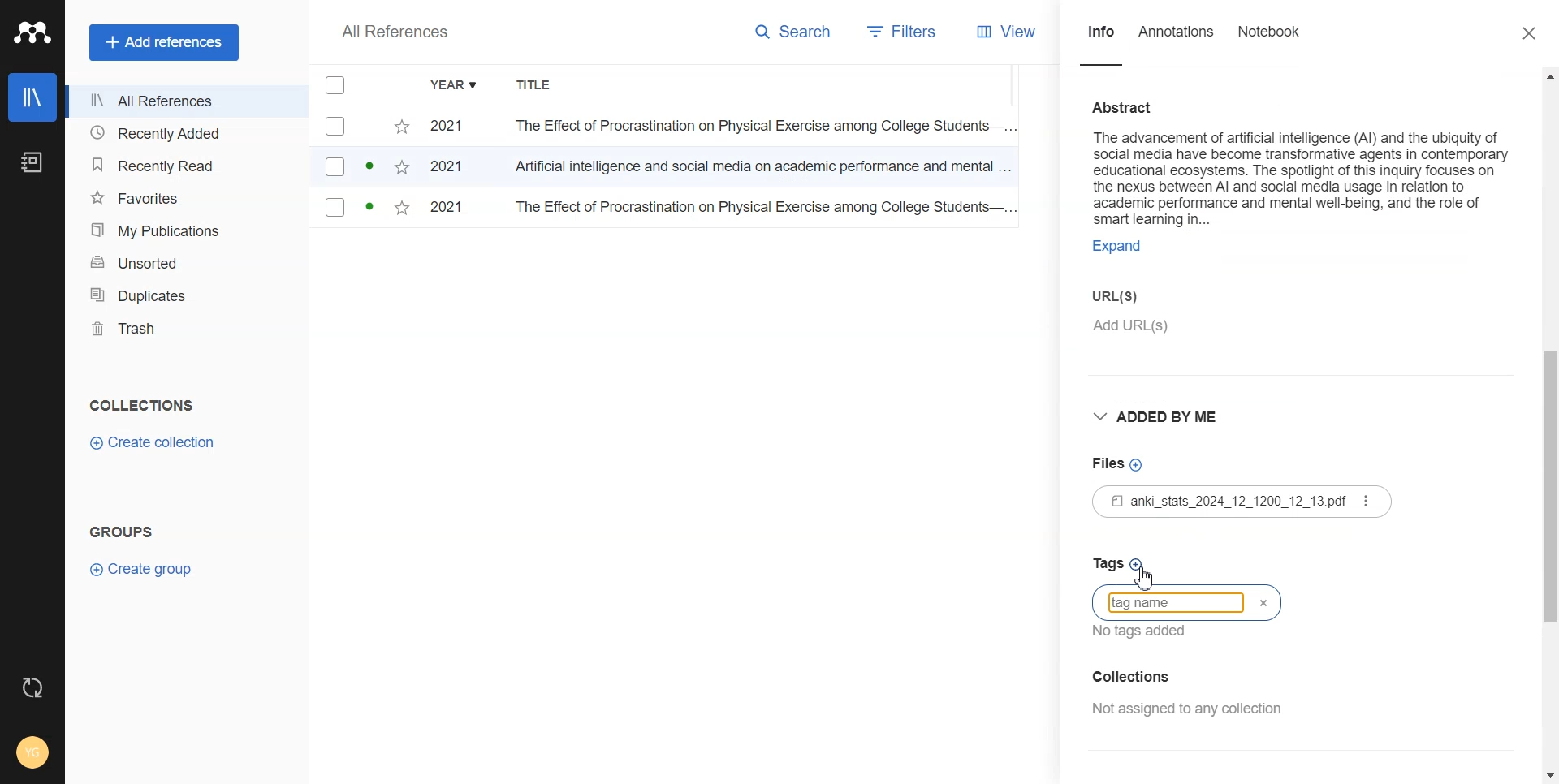 The image size is (1559, 784). Describe the element at coordinates (1125, 248) in the screenshot. I see `EXPAND` at that location.